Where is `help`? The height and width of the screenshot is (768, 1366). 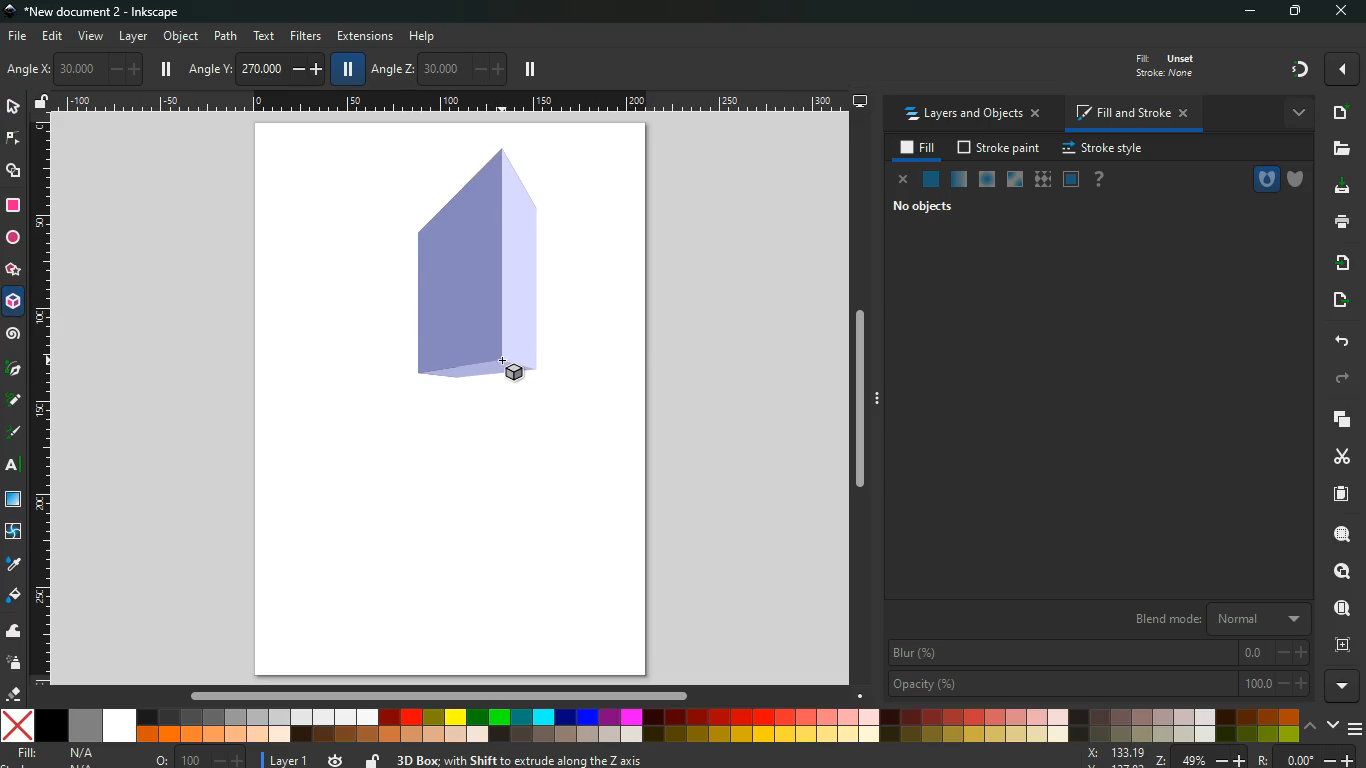
help is located at coordinates (429, 36).